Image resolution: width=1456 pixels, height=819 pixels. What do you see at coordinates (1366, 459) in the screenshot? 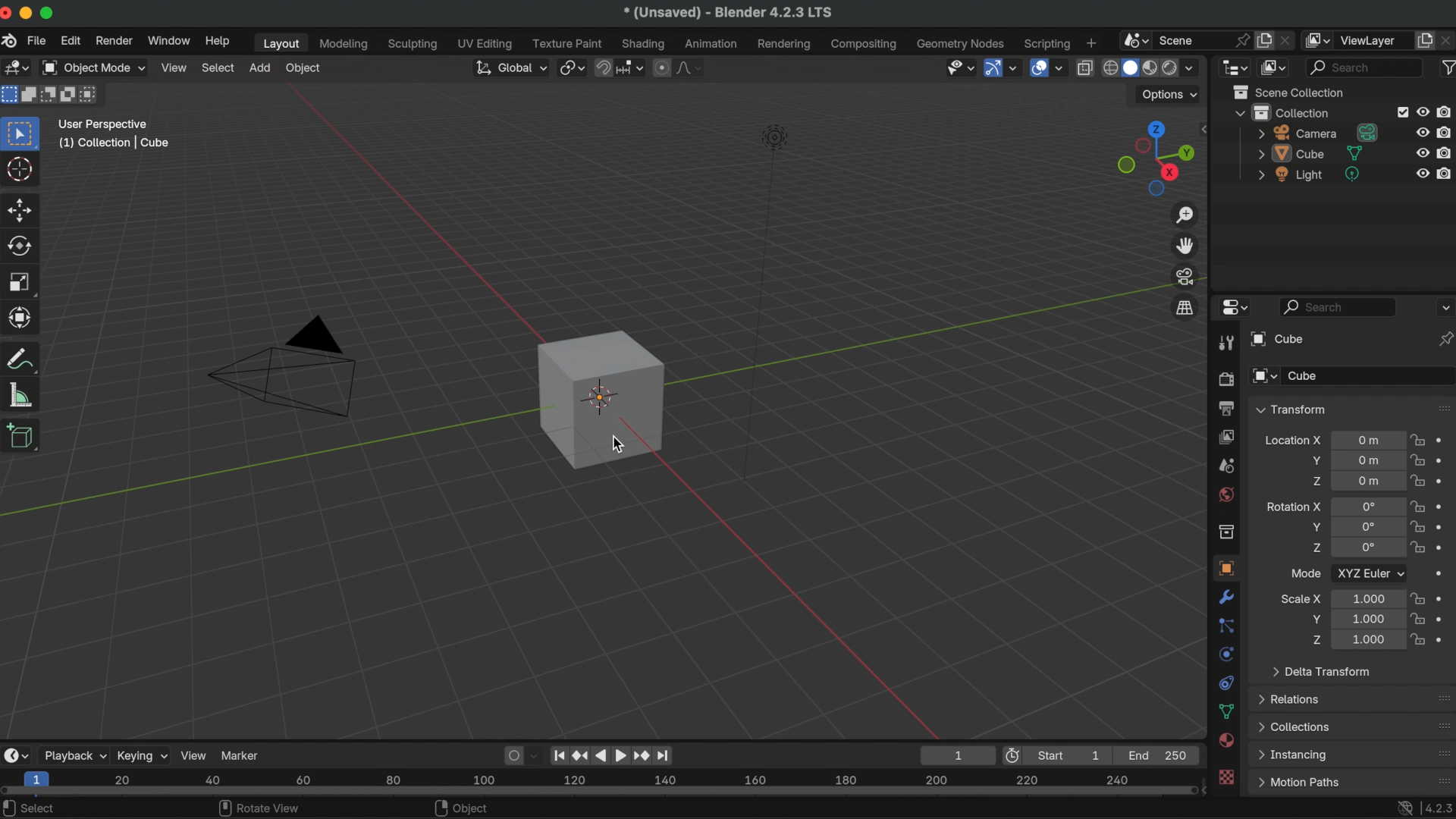
I see `location of object` at bounding box center [1366, 459].